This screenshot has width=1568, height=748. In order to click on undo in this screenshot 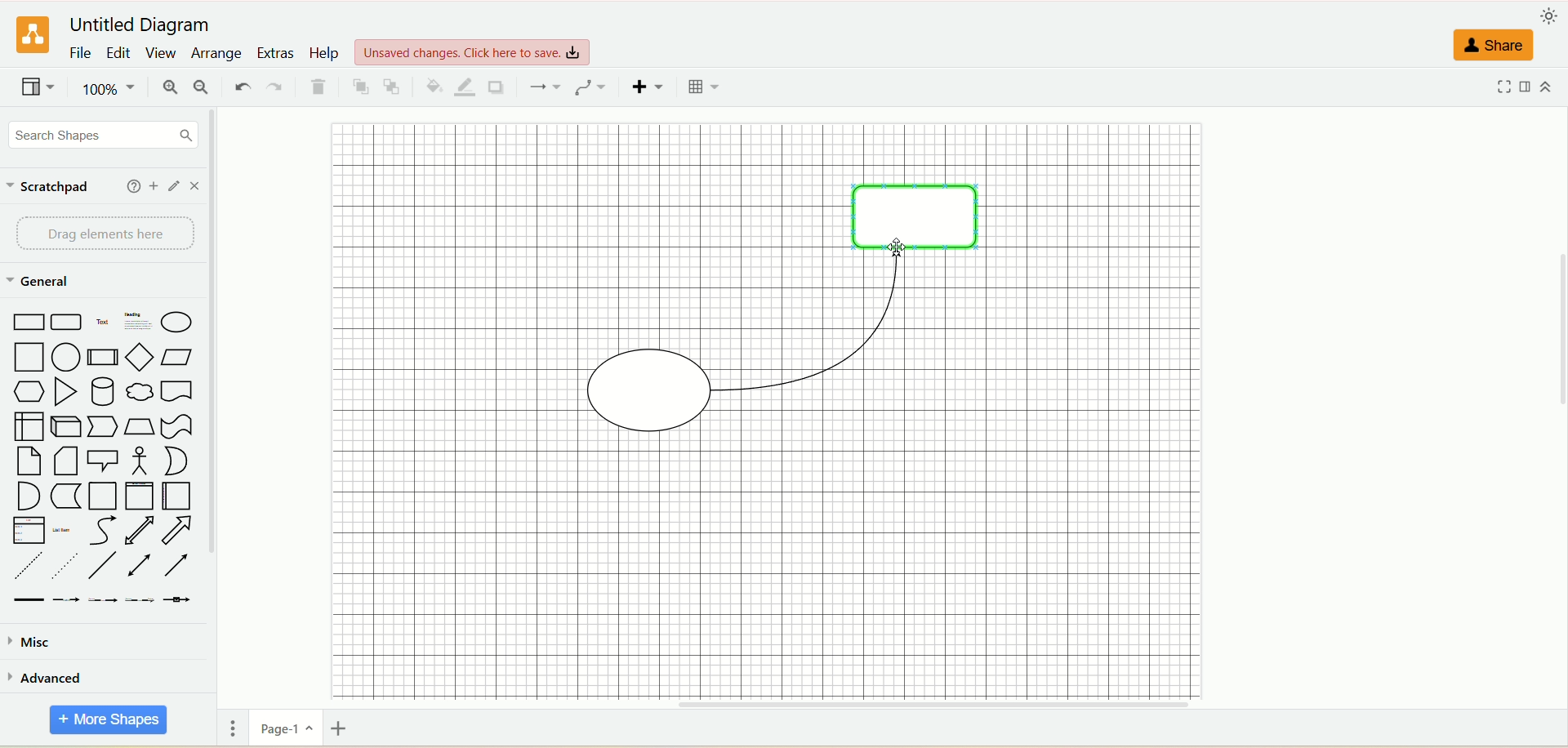, I will do `click(239, 86)`.